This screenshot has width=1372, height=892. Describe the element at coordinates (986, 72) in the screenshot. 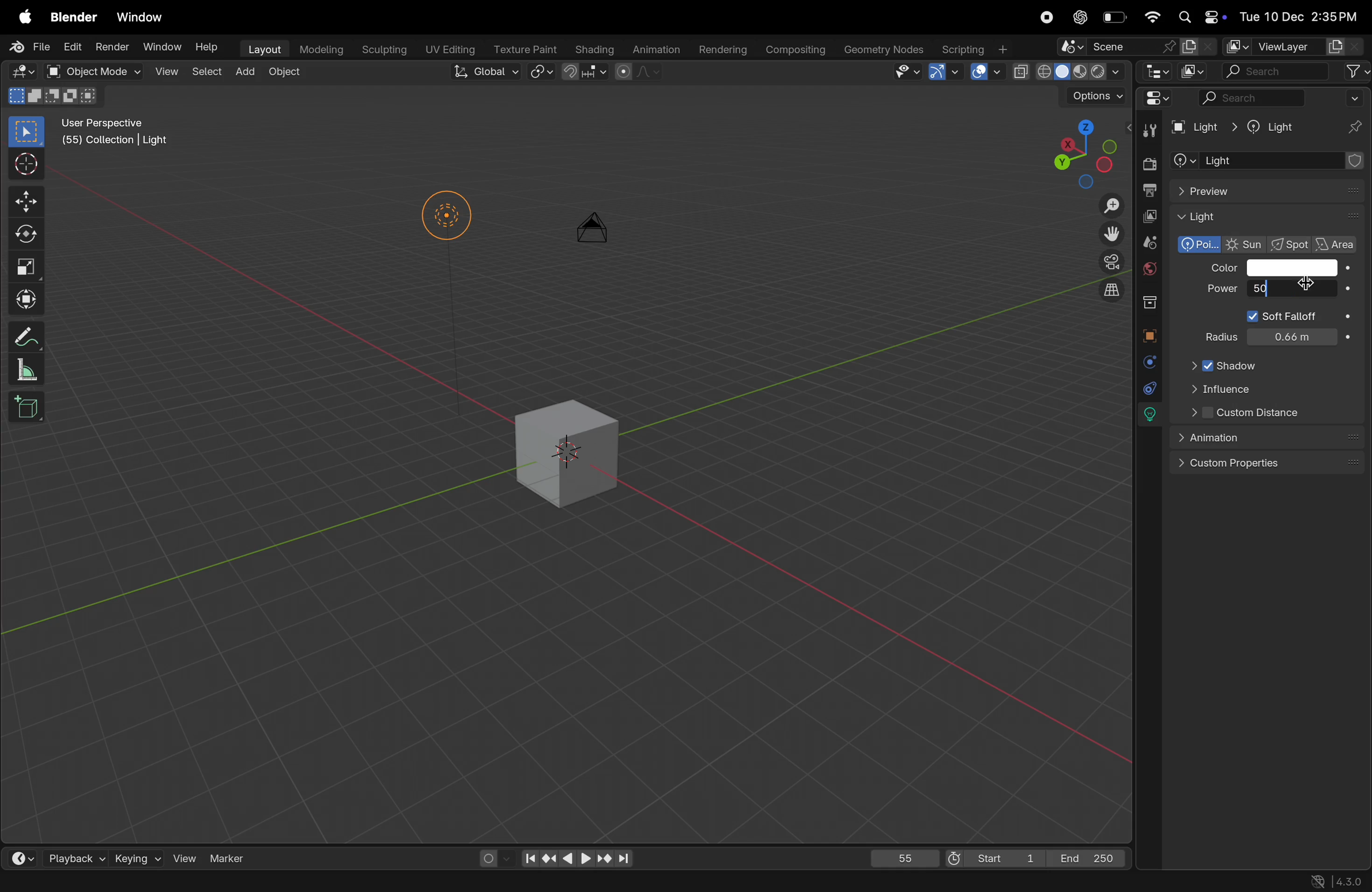

I see `show overlays` at that location.